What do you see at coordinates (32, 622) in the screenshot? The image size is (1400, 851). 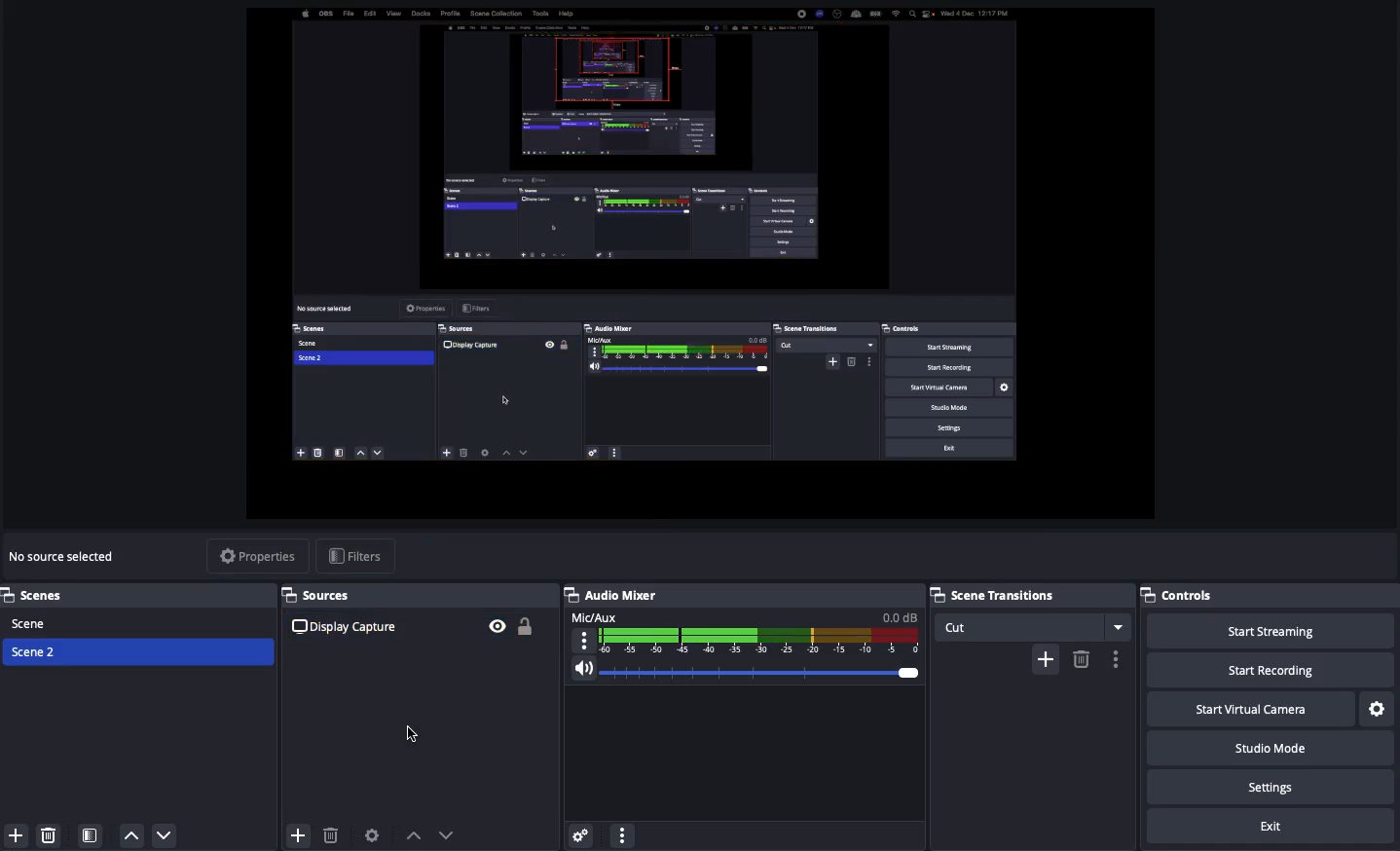 I see `Scene 1` at bounding box center [32, 622].